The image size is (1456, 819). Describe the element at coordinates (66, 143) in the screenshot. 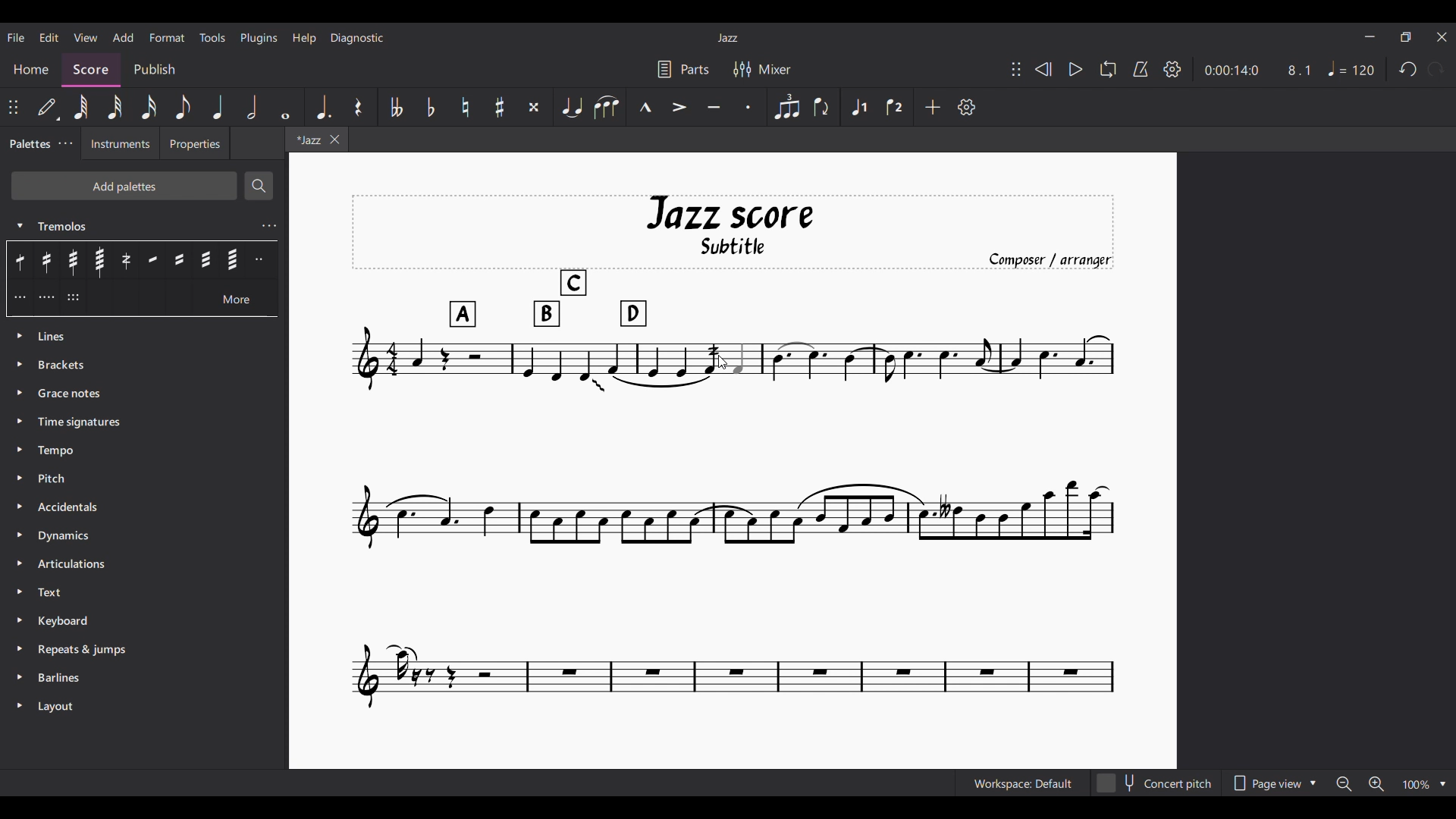

I see `Palette settings` at that location.